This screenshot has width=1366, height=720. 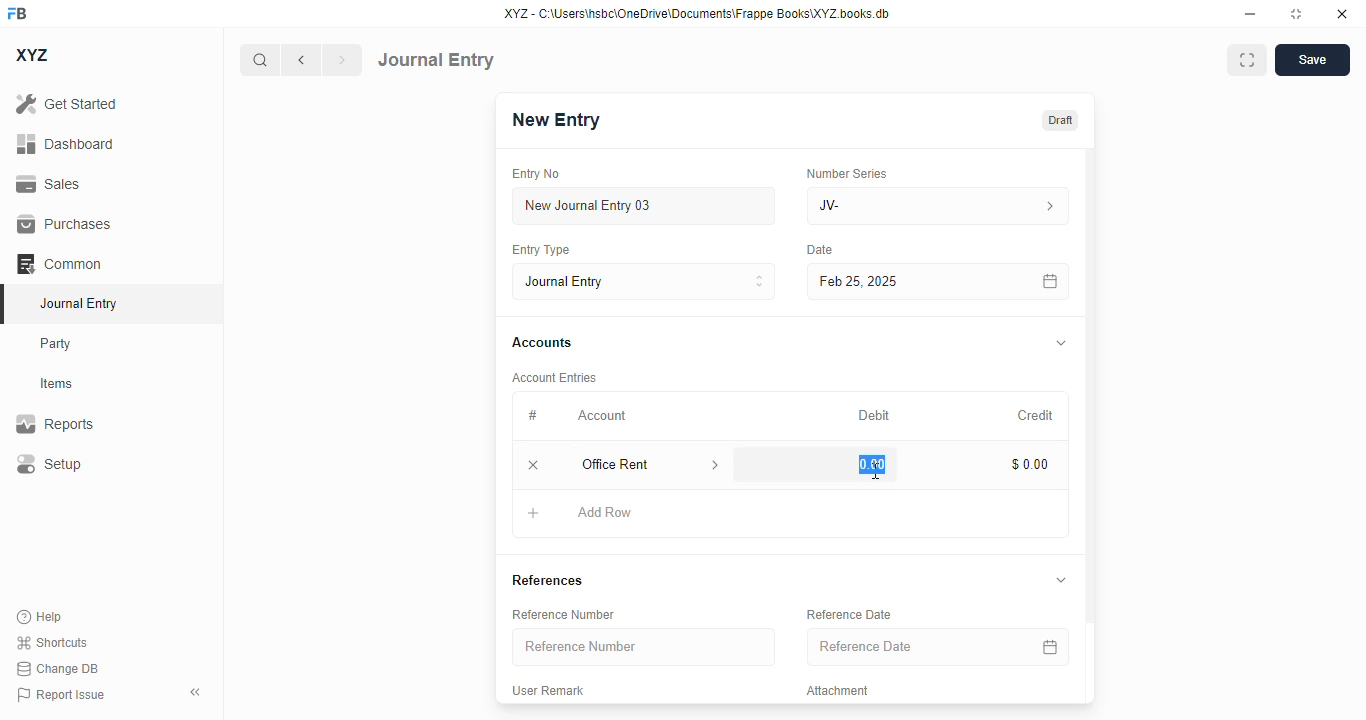 What do you see at coordinates (301, 60) in the screenshot?
I see `previous` at bounding box center [301, 60].